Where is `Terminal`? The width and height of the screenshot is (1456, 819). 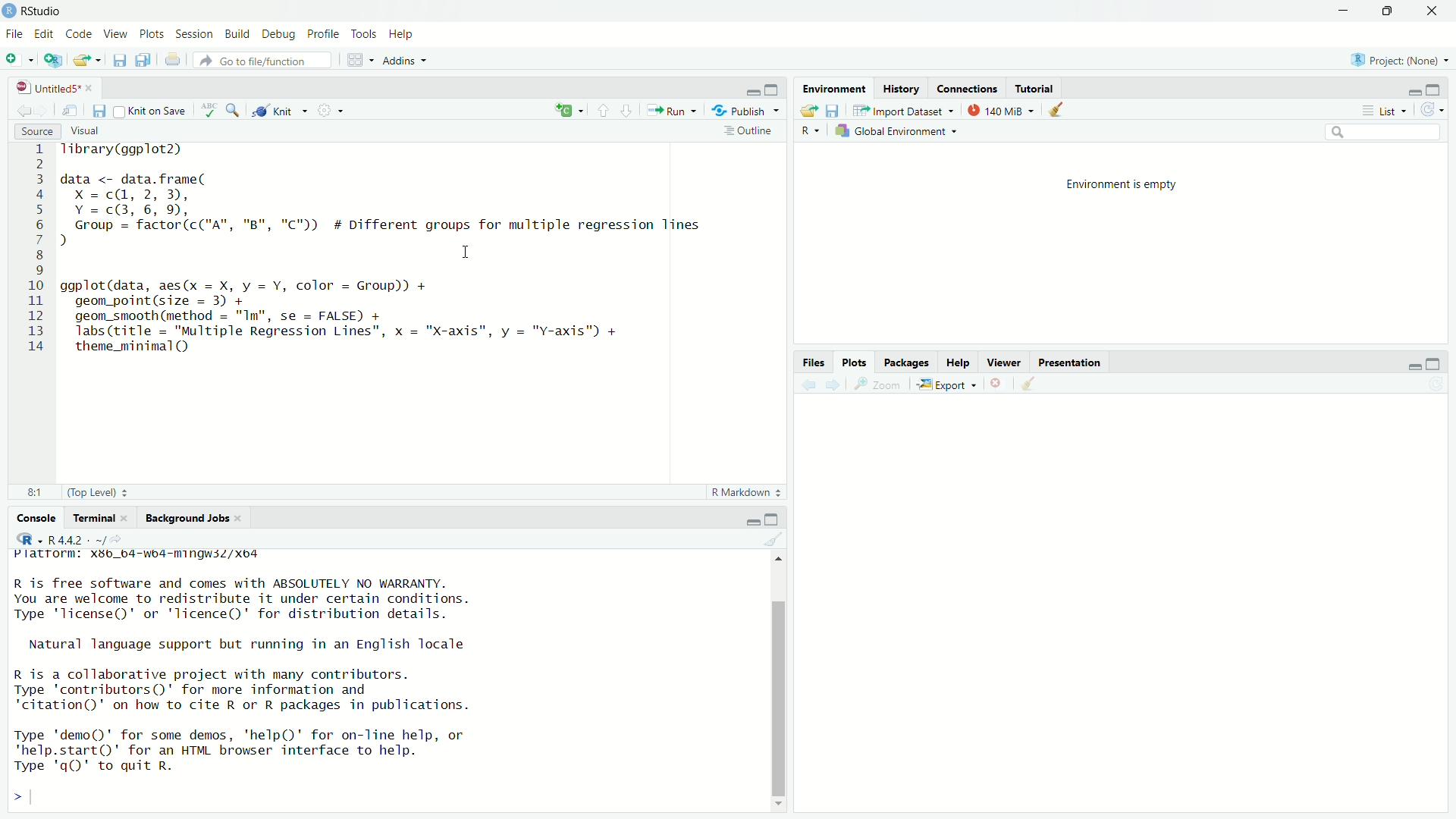
Terminal is located at coordinates (90, 516).